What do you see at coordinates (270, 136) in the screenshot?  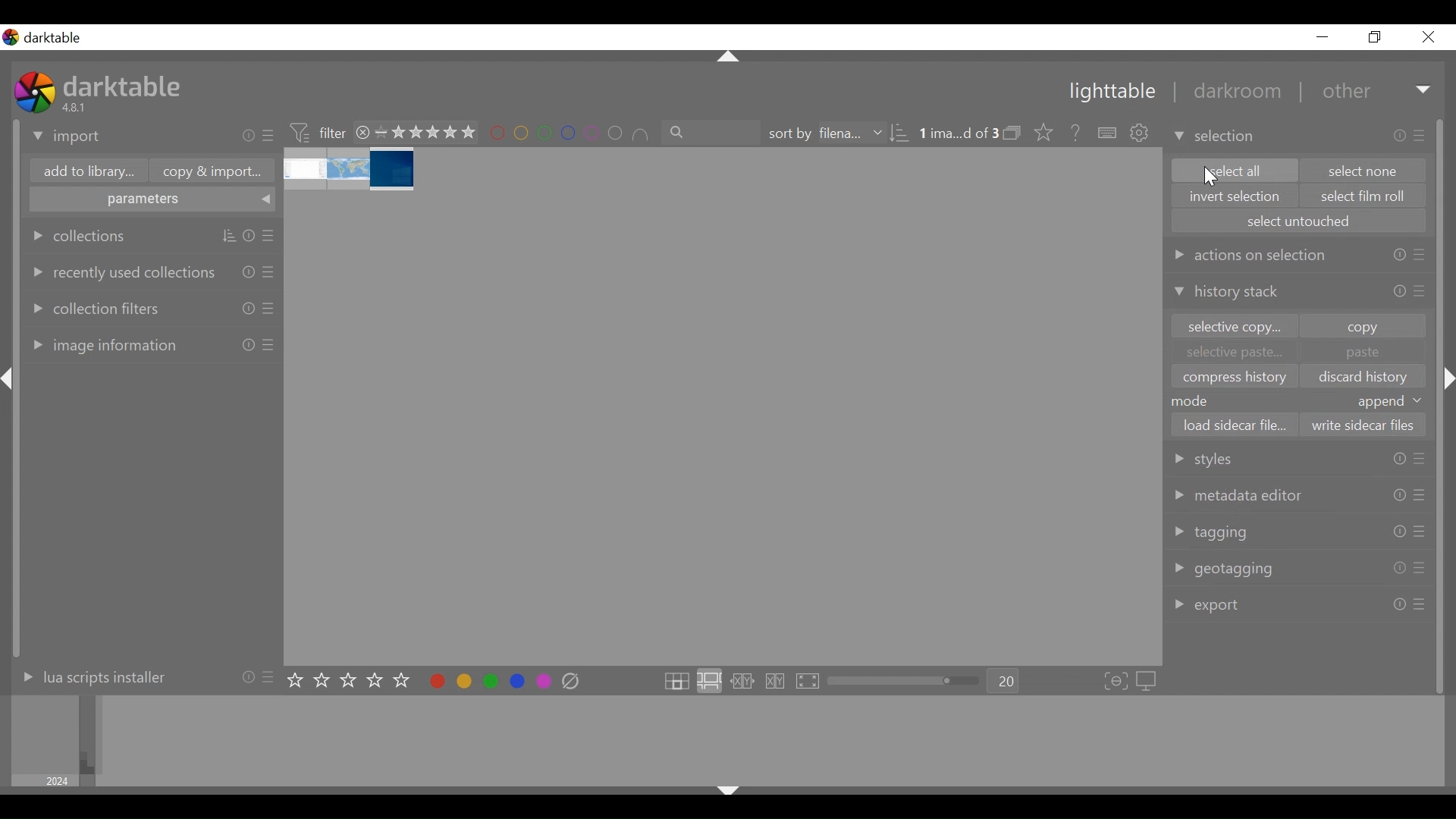 I see `presets` at bounding box center [270, 136].